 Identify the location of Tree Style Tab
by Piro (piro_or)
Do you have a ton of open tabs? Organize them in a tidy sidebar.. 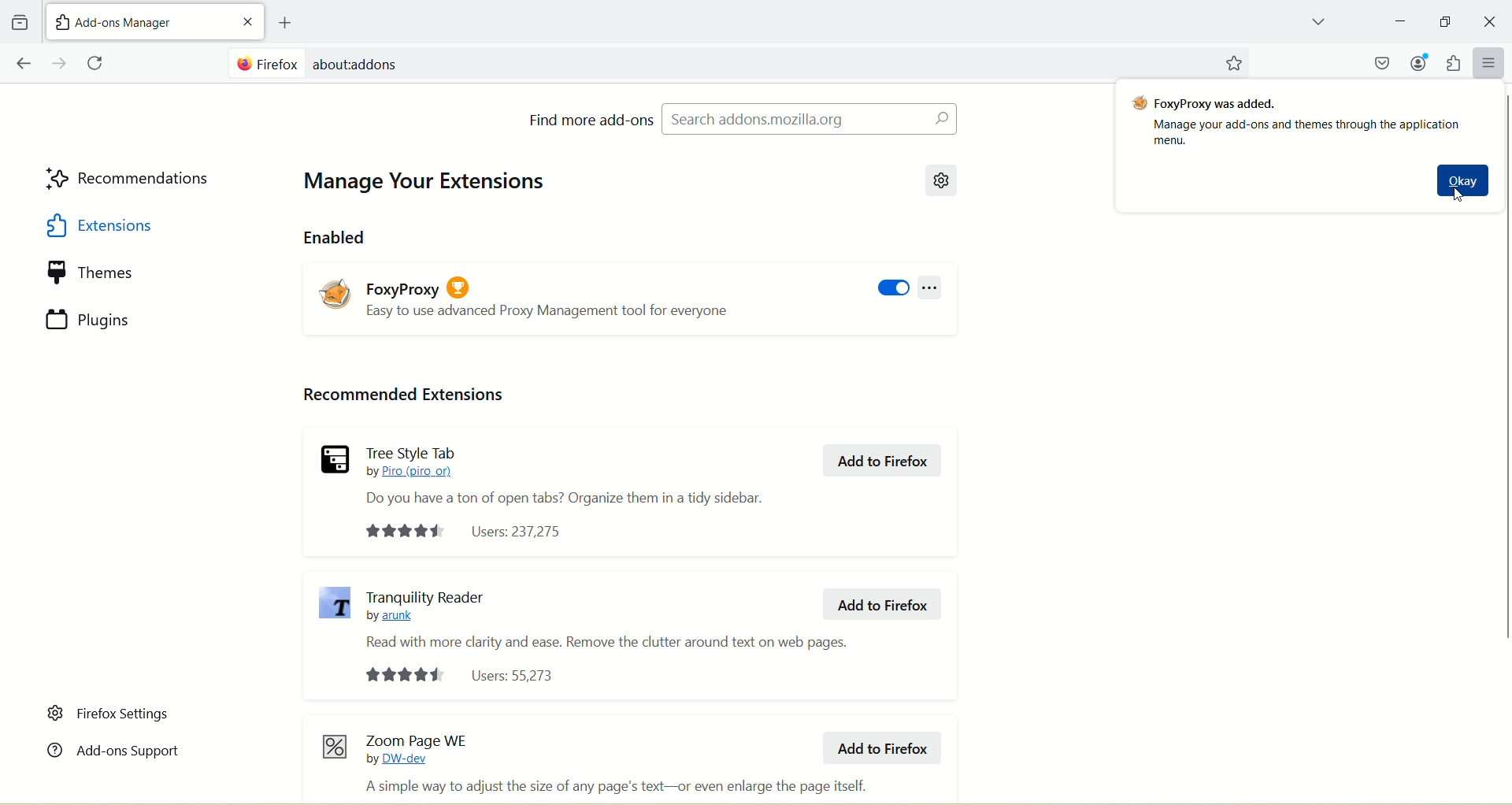
(565, 474).